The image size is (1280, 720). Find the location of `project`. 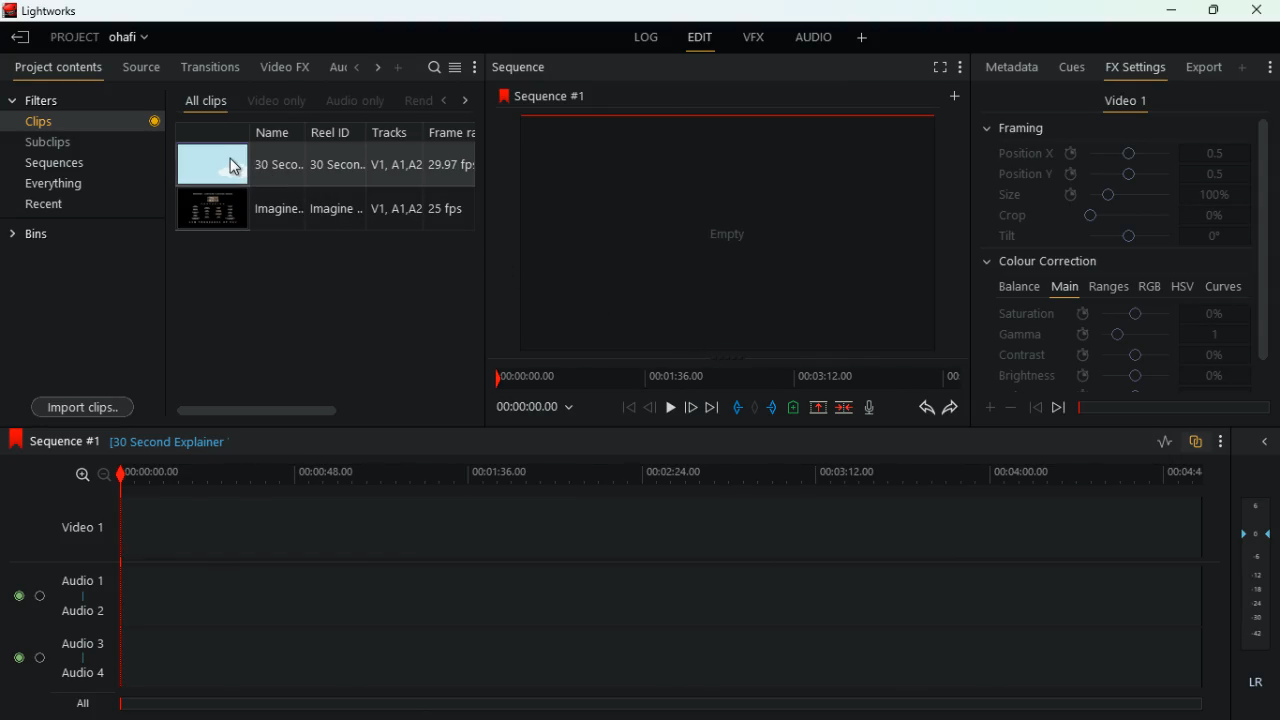

project is located at coordinates (74, 37).